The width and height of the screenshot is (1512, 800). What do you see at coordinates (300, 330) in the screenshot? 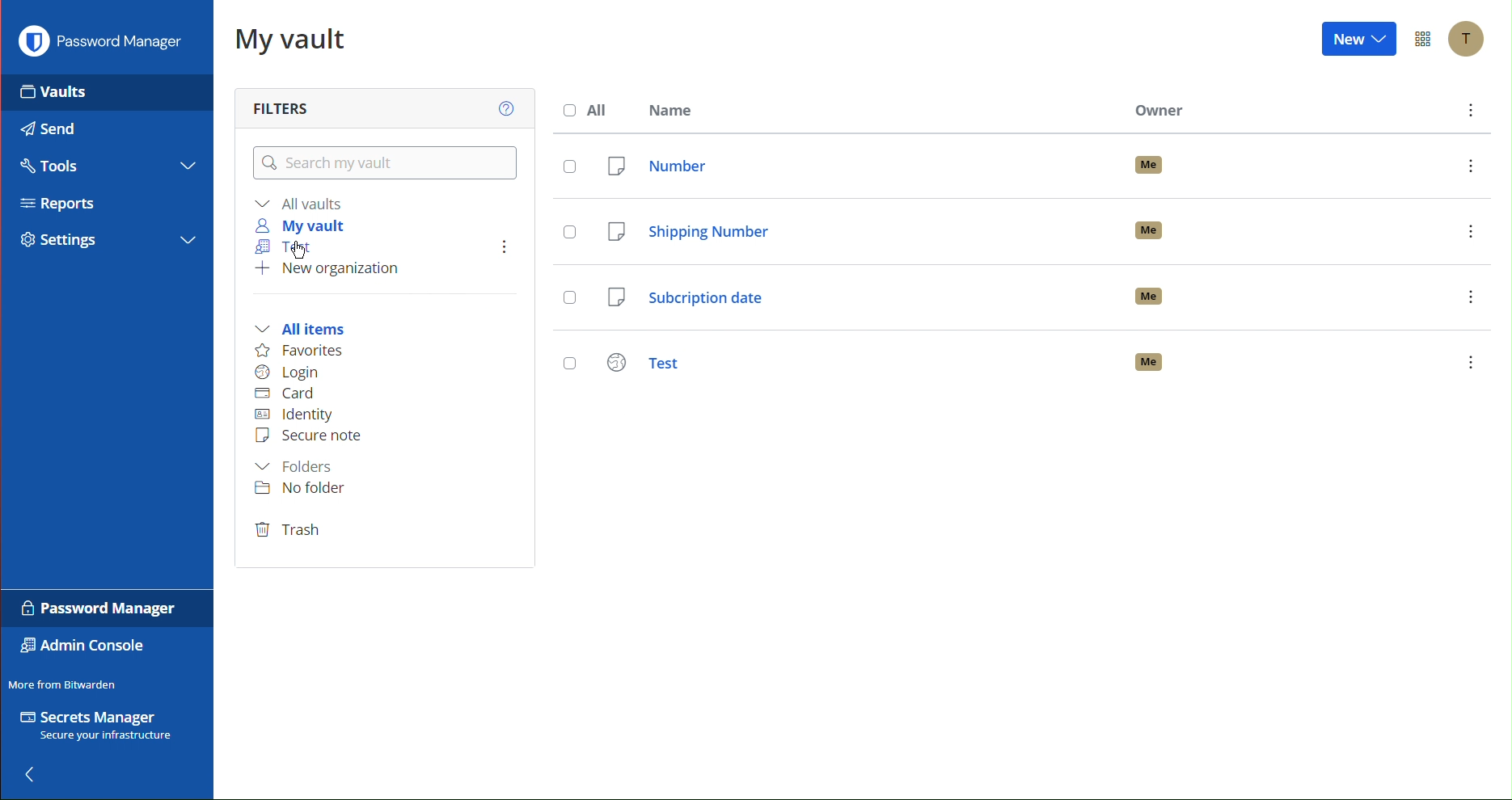
I see `All items` at bounding box center [300, 330].